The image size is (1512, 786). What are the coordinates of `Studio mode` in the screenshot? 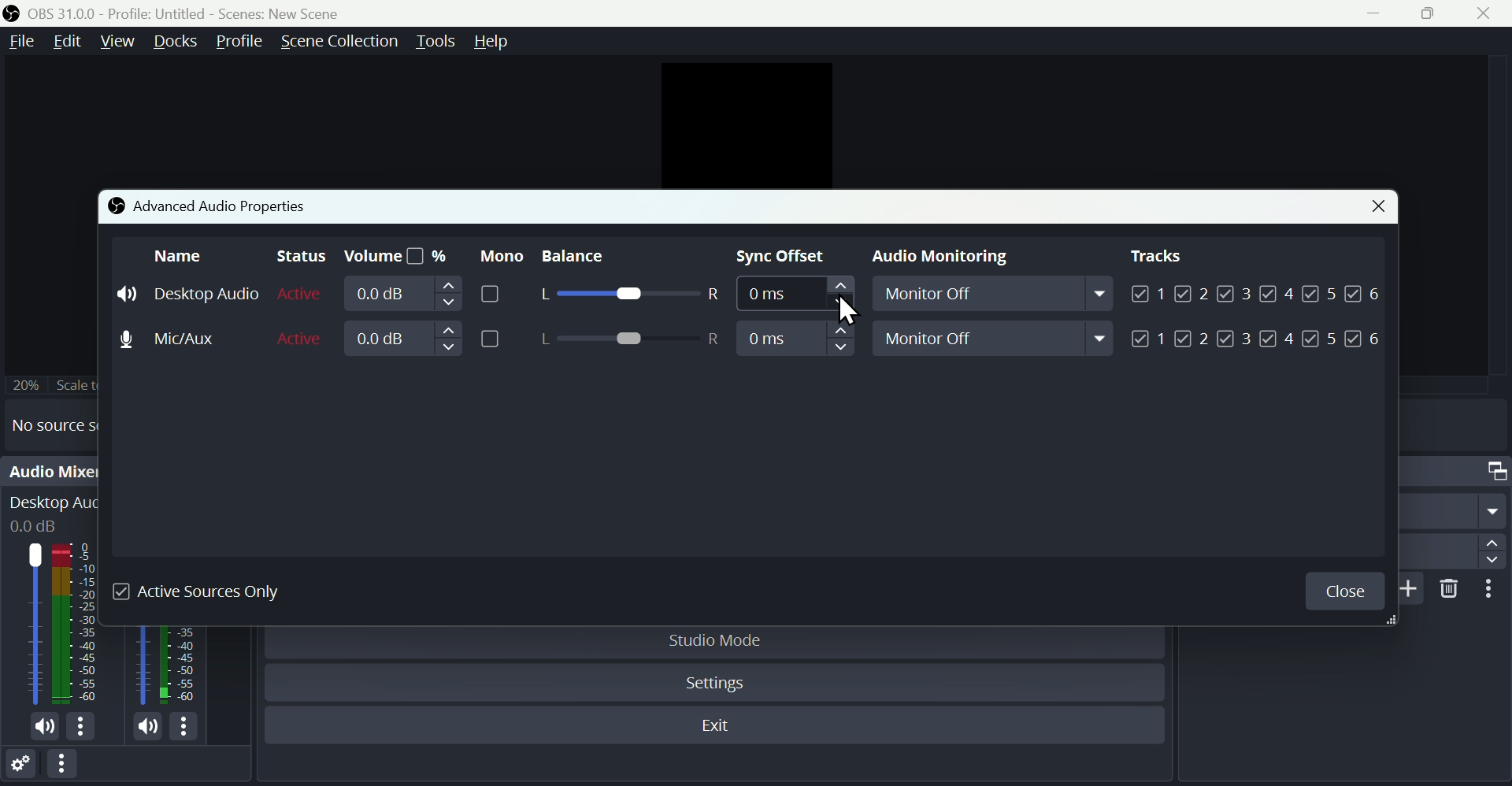 It's located at (717, 640).